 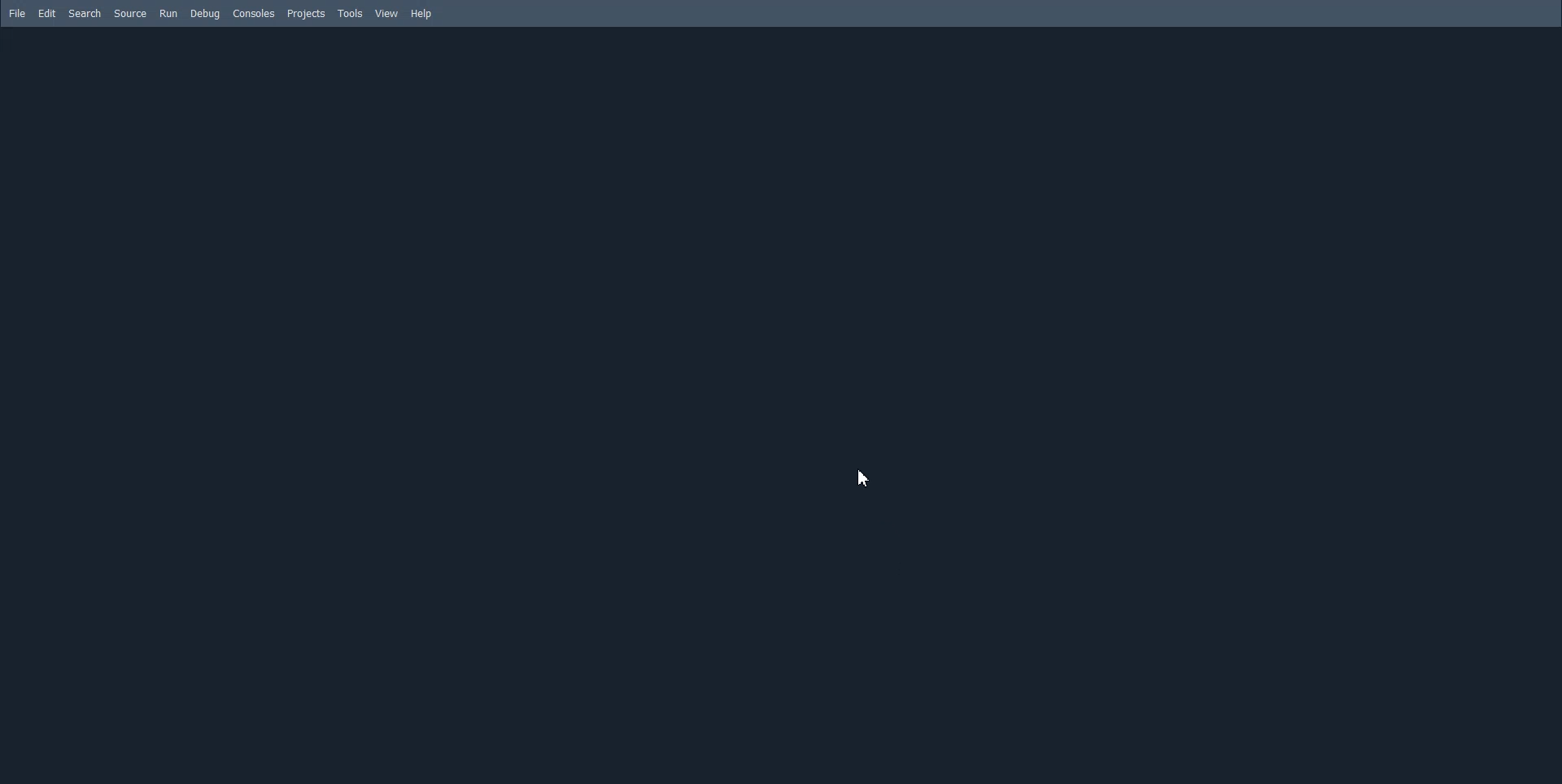 What do you see at coordinates (131, 13) in the screenshot?
I see `Source` at bounding box center [131, 13].